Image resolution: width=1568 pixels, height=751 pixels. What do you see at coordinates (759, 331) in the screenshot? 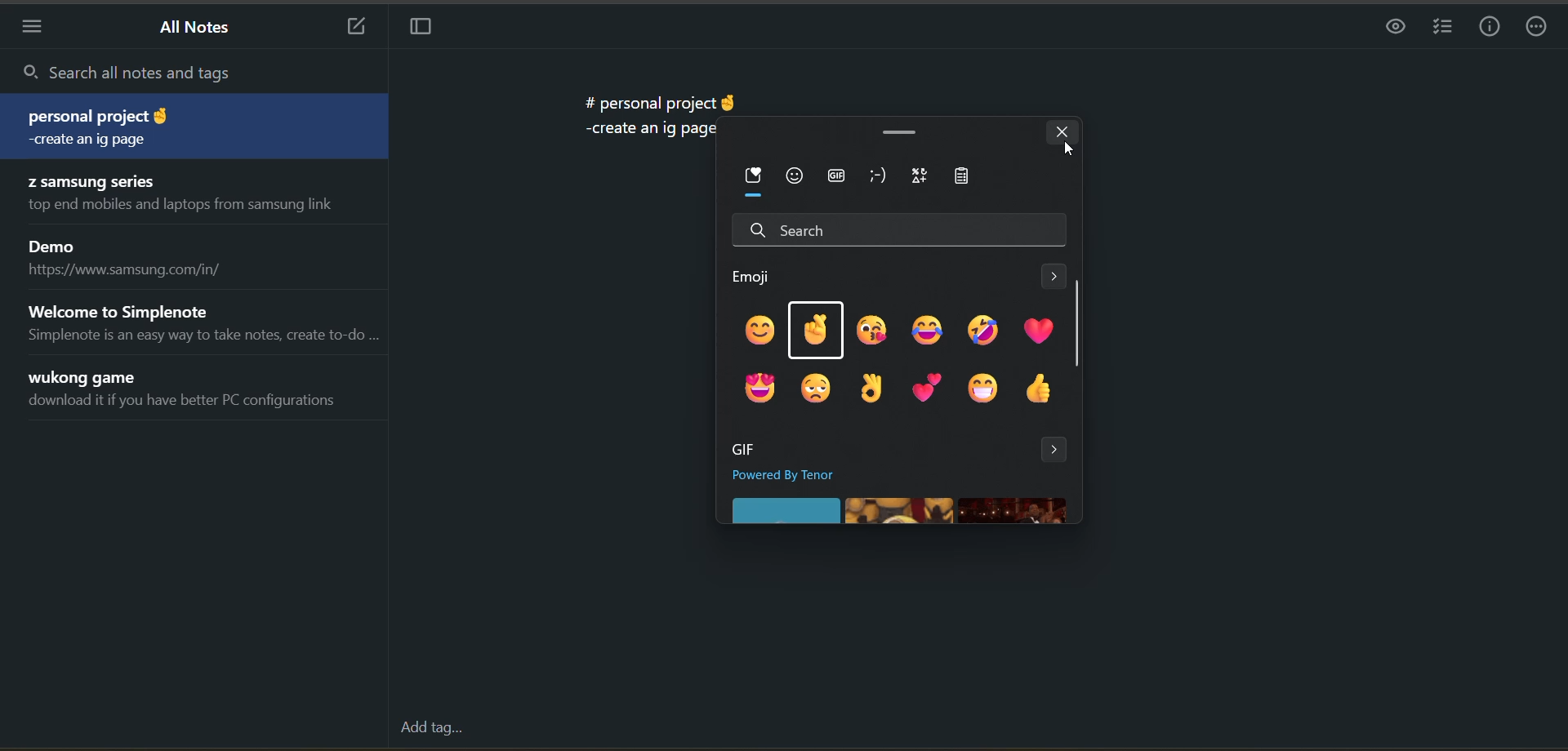
I see `emoji 1` at bounding box center [759, 331].